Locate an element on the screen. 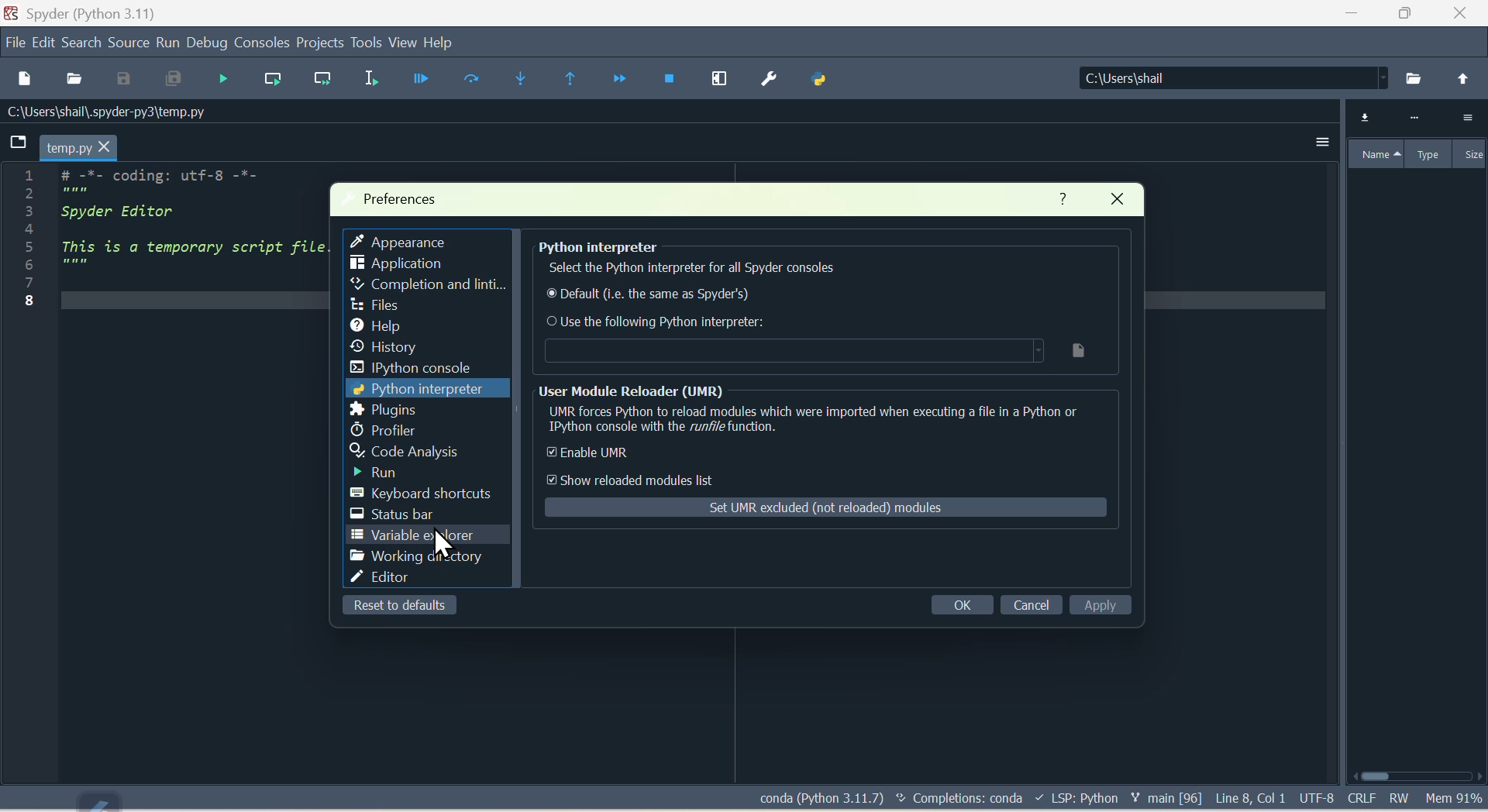  close is located at coordinates (1114, 201).